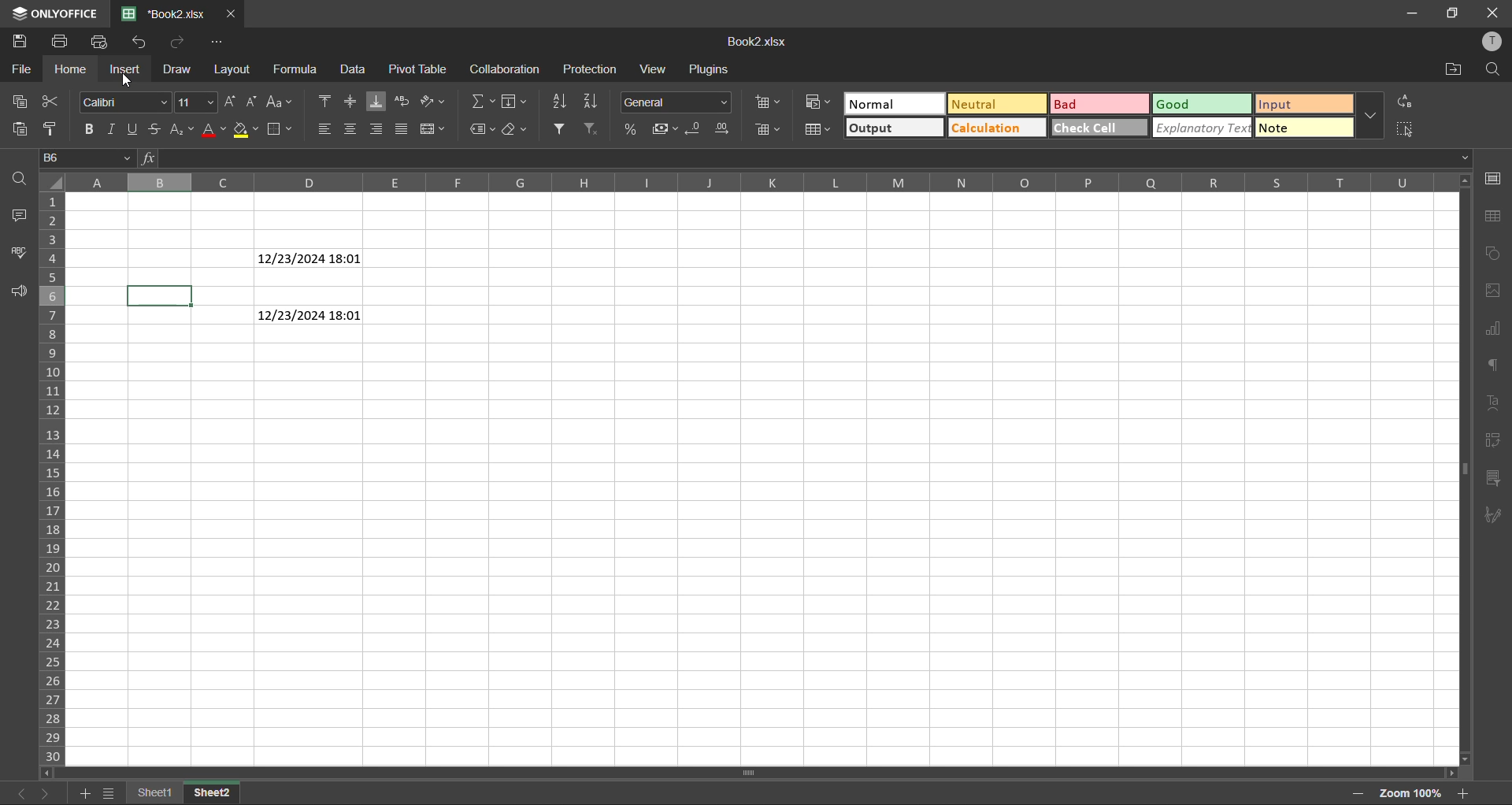 This screenshot has height=805, width=1512. What do you see at coordinates (402, 129) in the screenshot?
I see `justified` at bounding box center [402, 129].